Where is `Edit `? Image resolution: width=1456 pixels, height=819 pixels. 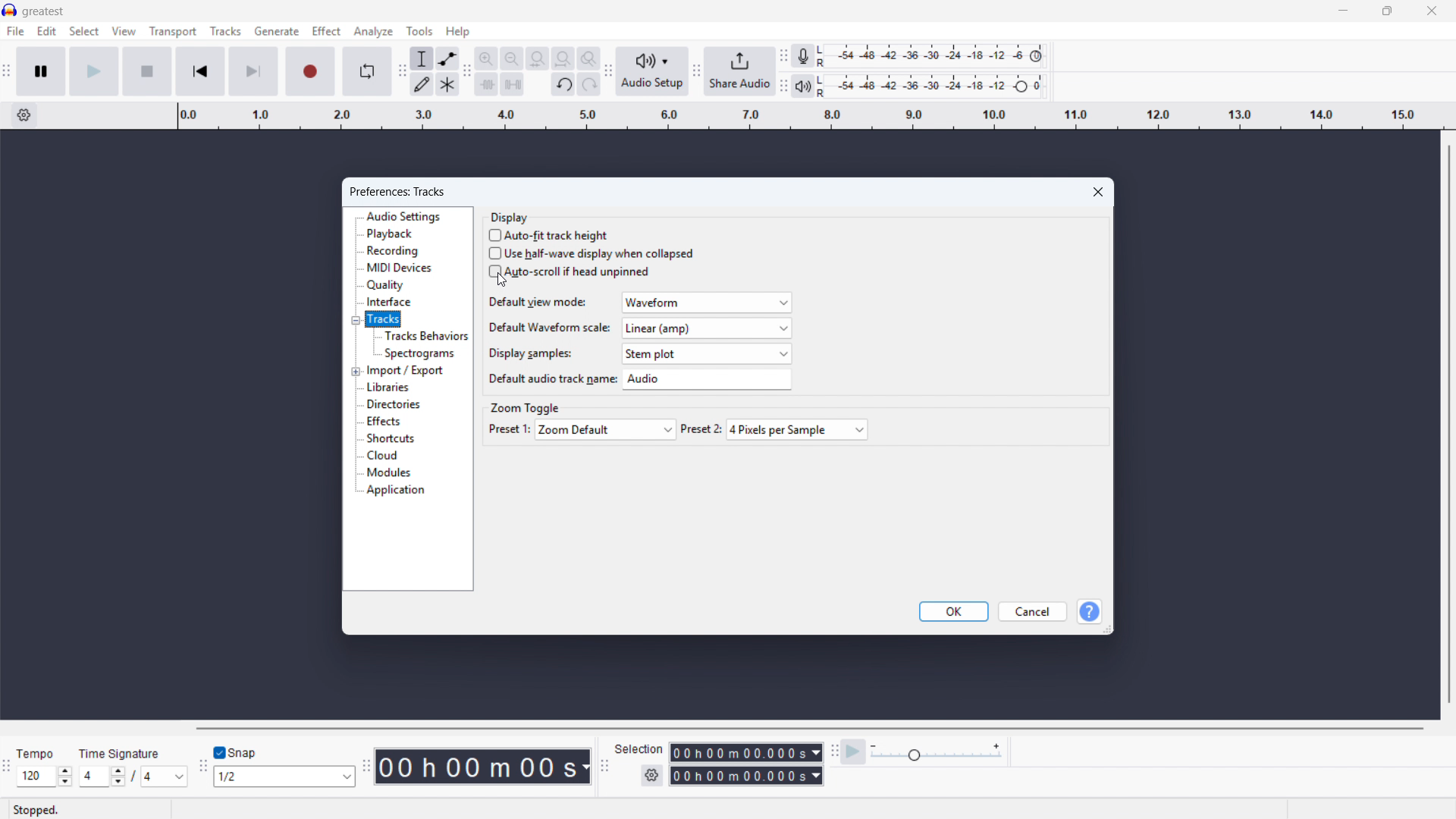 Edit  is located at coordinates (47, 31).